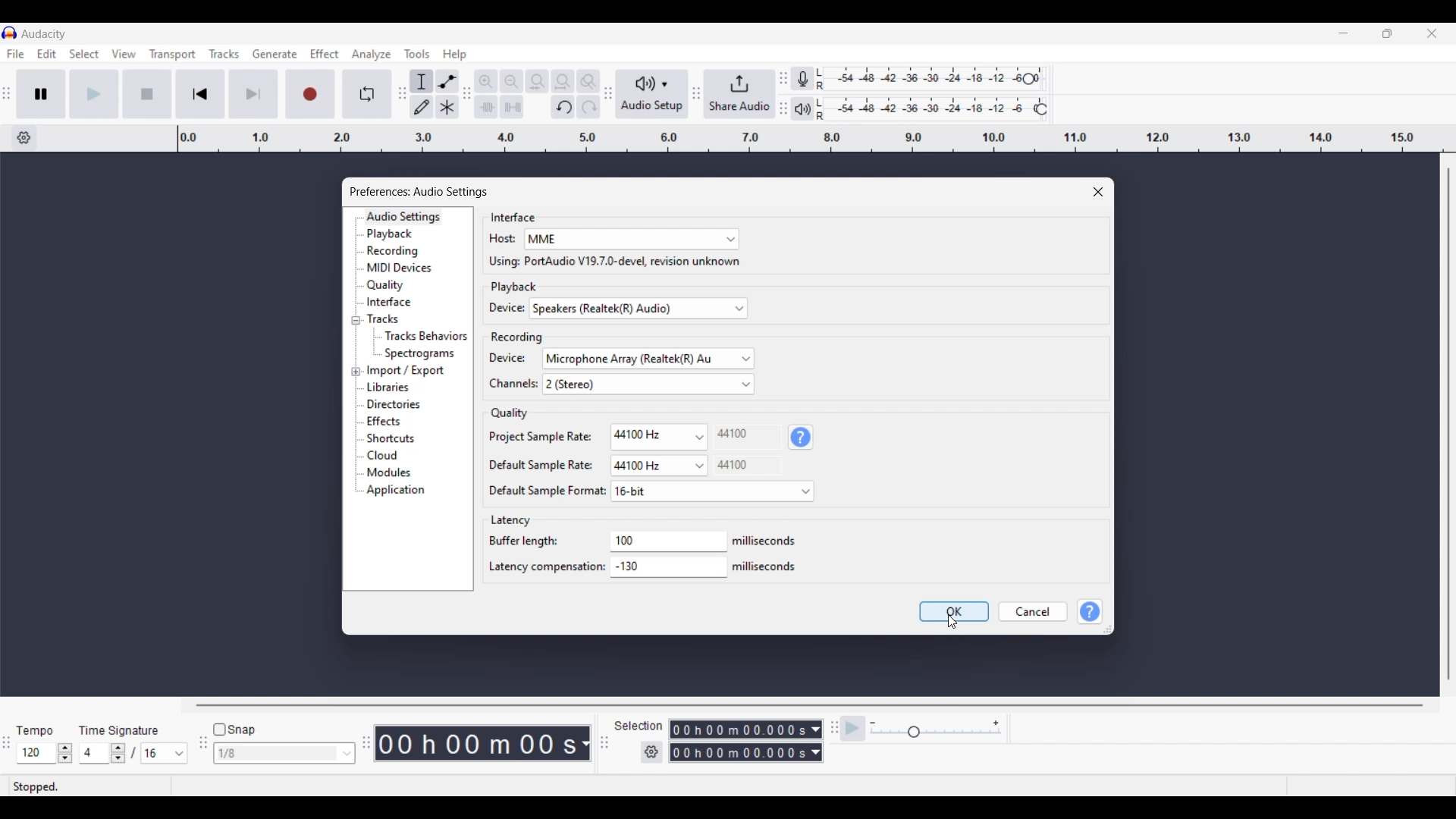 This screenshot has height=819, width=1456. What do you see at coordinates (403, 422) in the screenshot?
I see `Effects` at bounding box center [403, 422].